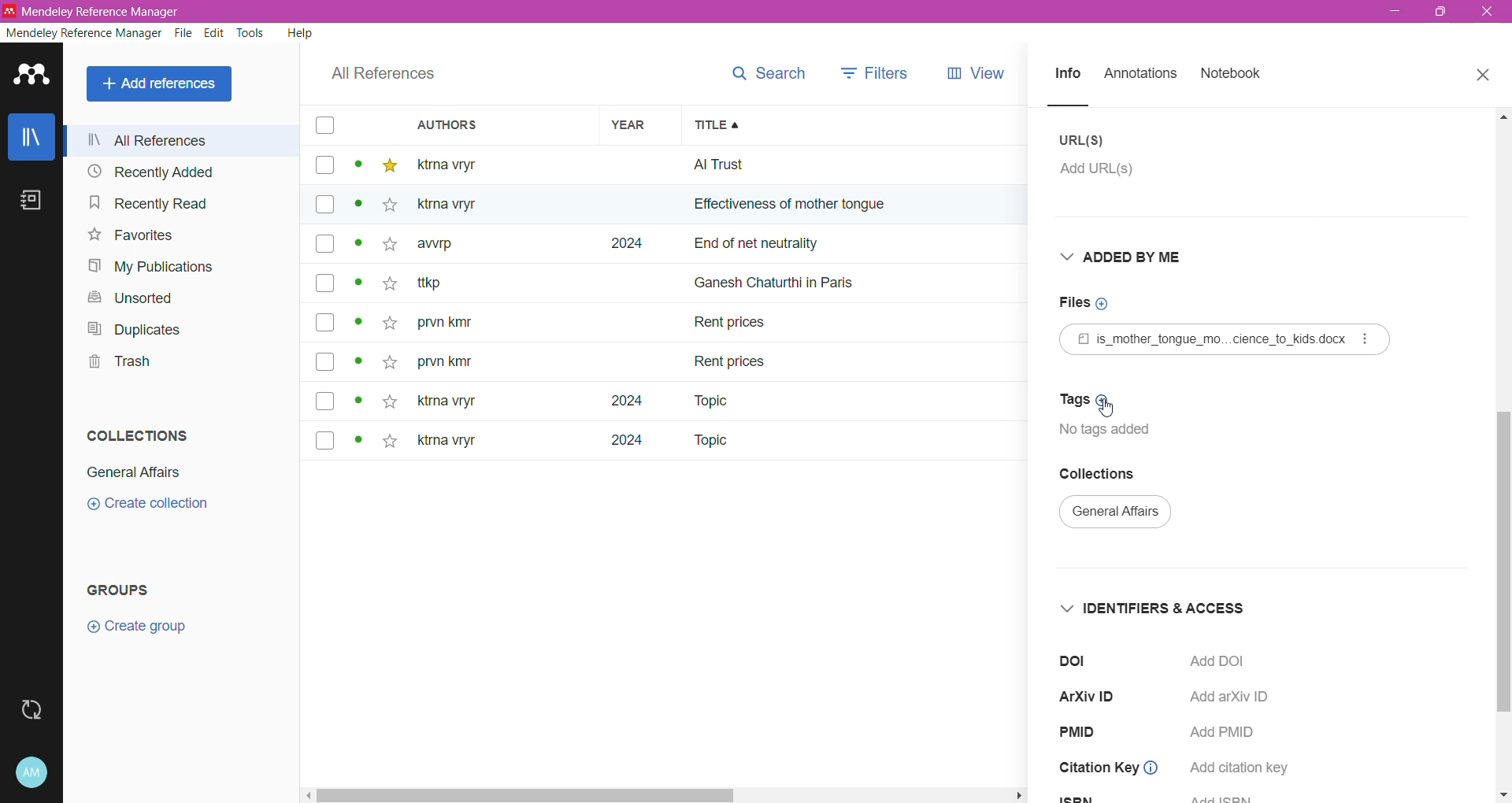 The height and width of the screenshot is (803, 1512). I want to click on star, so click(390, 400).